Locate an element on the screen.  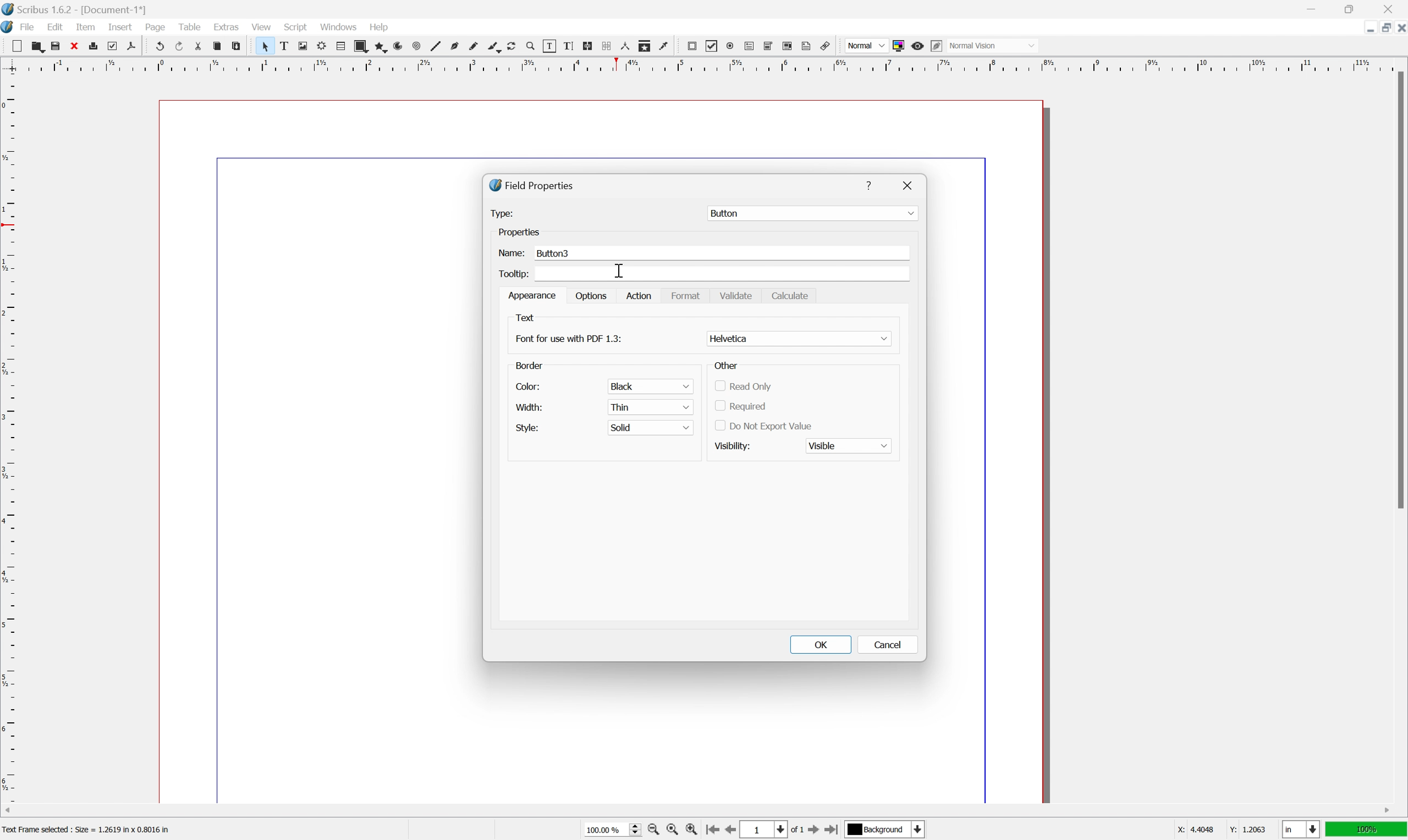
Cancel is located at coordinates (891, 644).